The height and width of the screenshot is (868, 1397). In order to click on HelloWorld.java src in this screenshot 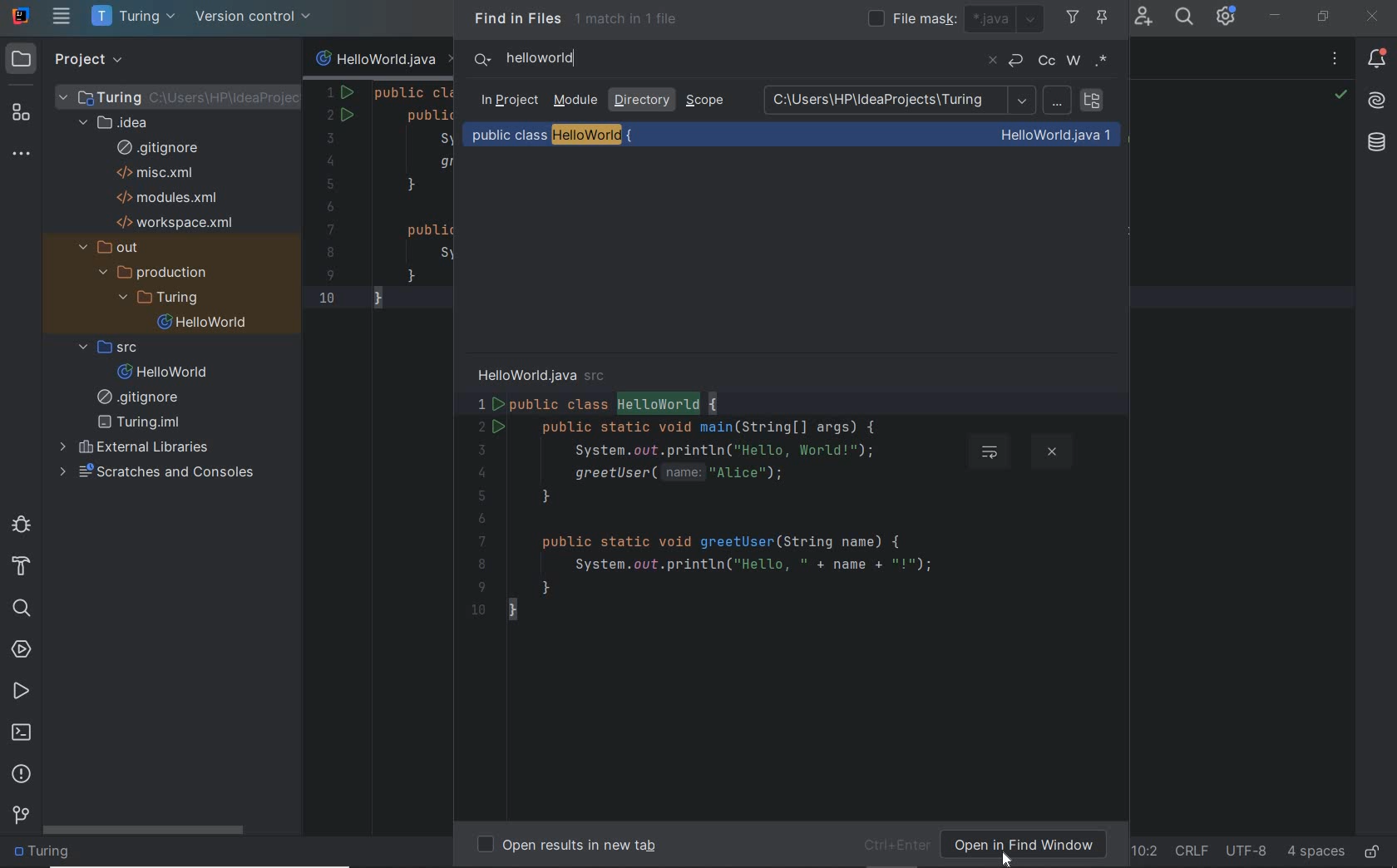, I will do `click(538, 374)`.